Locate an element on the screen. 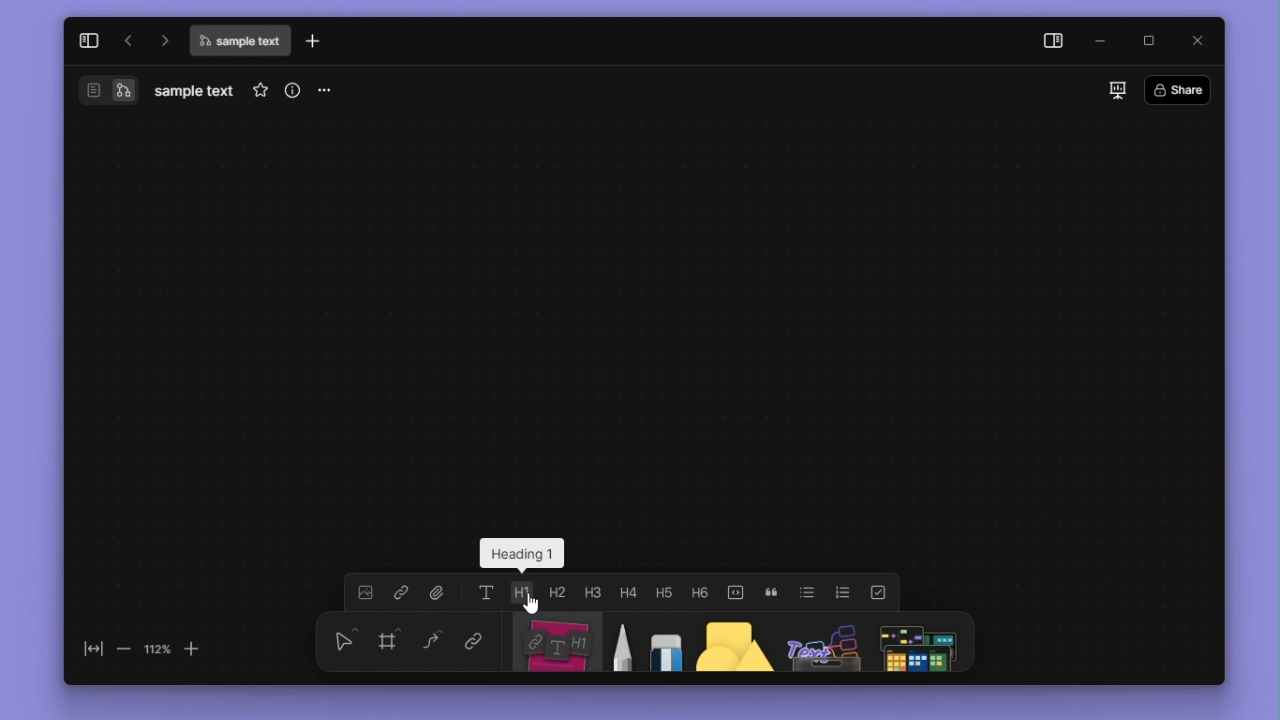  link is located at coordinates (401, 592).